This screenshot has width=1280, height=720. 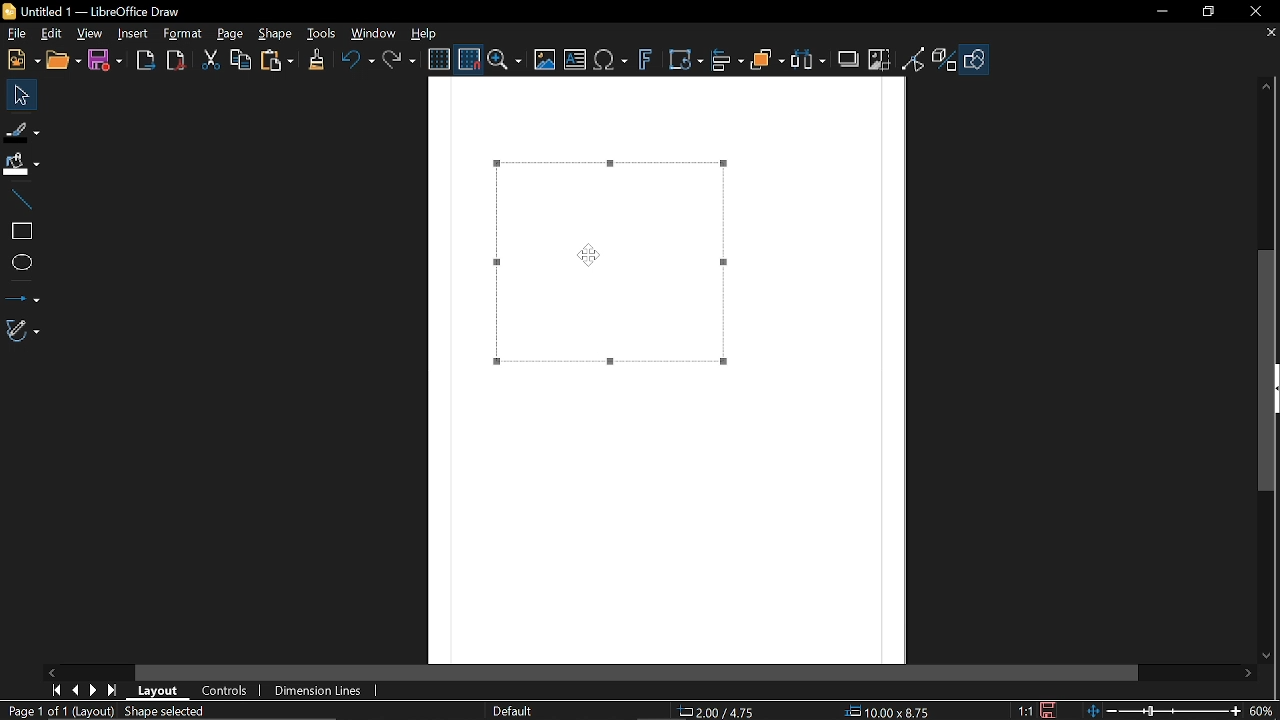 I want to click on close, so click(x=1255, y=12).